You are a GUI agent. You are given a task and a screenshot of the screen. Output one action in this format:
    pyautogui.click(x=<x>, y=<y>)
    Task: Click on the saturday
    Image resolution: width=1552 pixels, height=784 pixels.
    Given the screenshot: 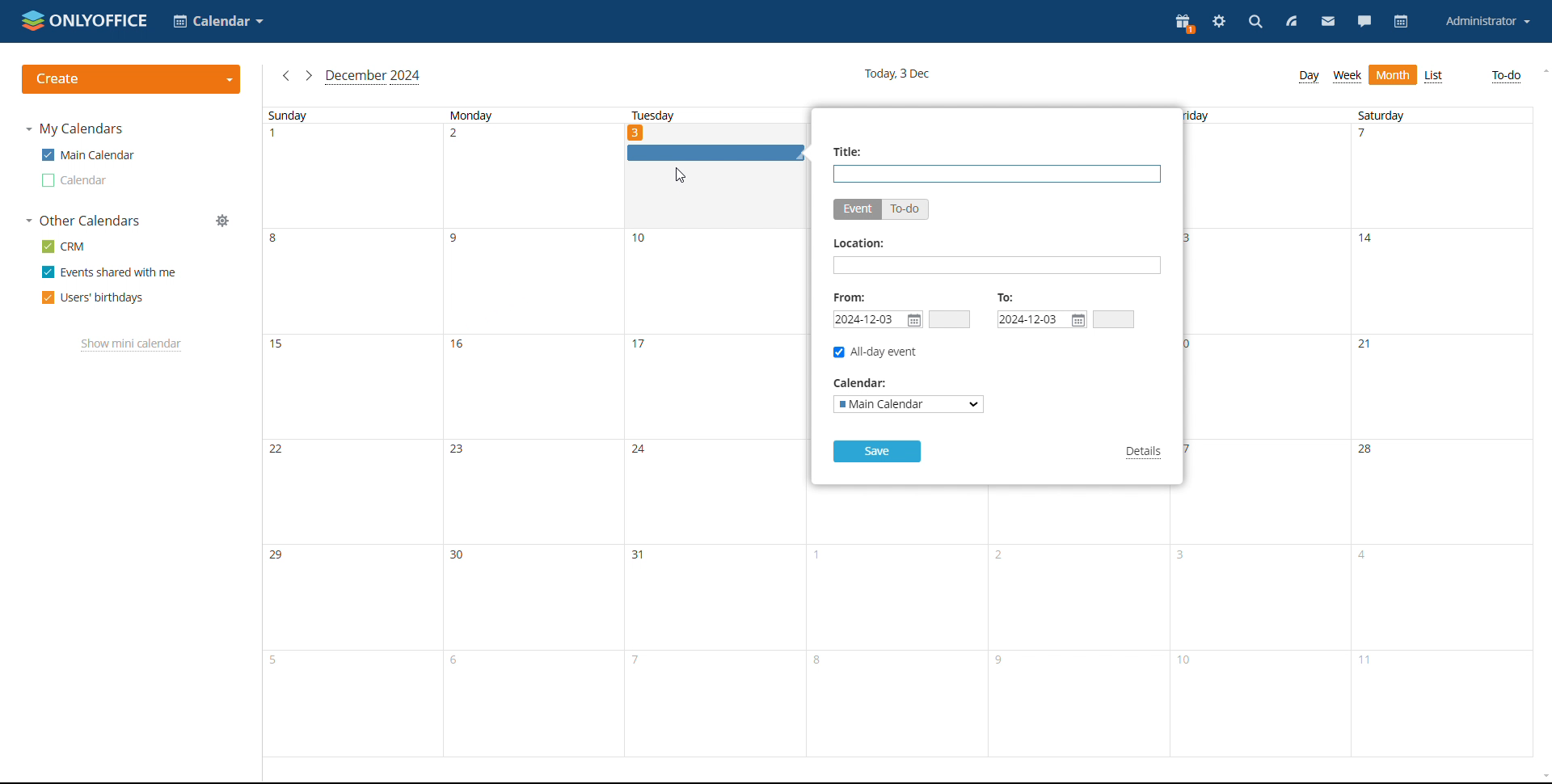 What is the action you would take?
    pyautogui.click(x=1440, y=432)
    